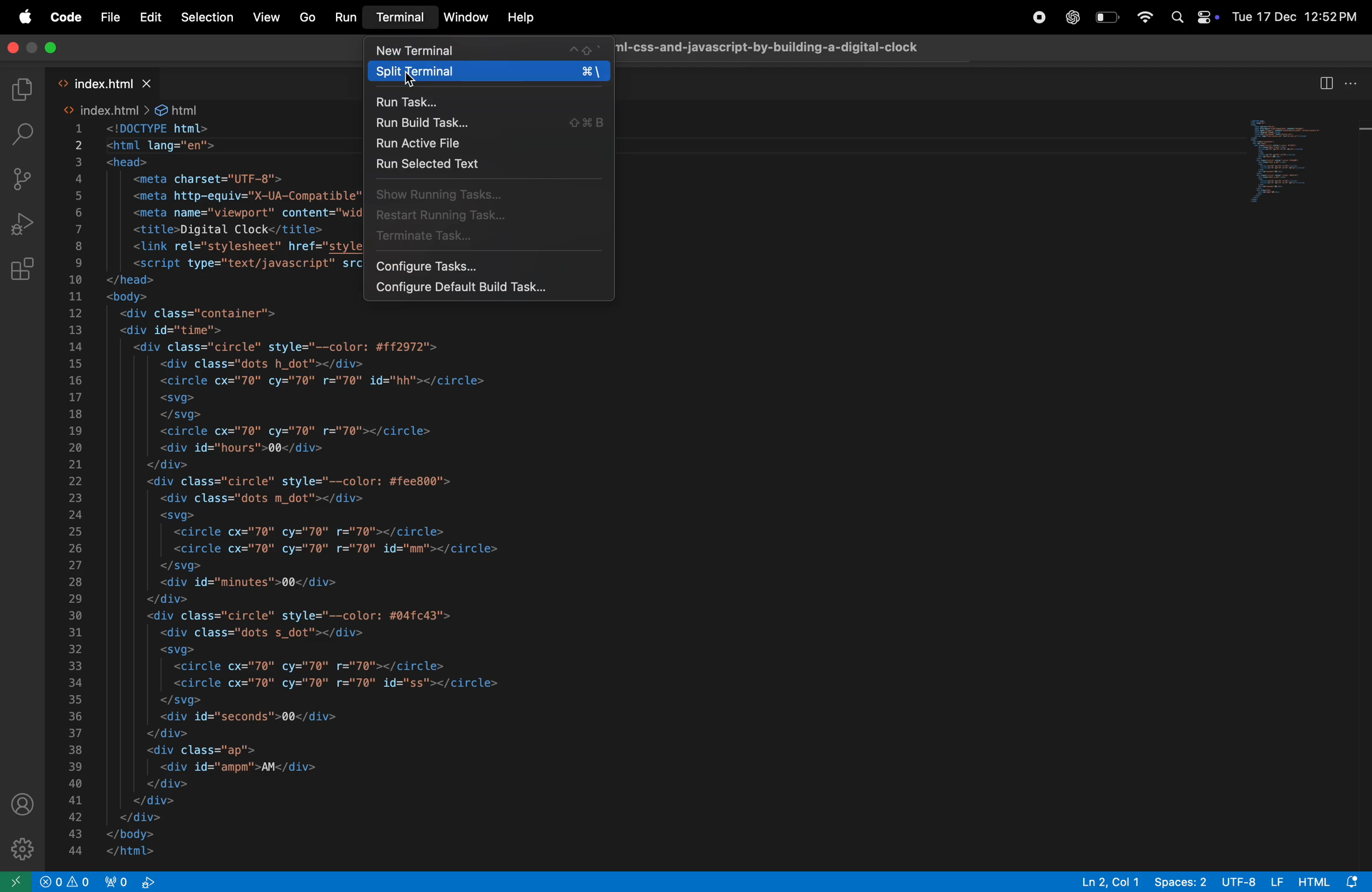 Image resolution: width=1372 pixels, height=892 pixels. I want to click on spaces: 2, so click(1180, 881).